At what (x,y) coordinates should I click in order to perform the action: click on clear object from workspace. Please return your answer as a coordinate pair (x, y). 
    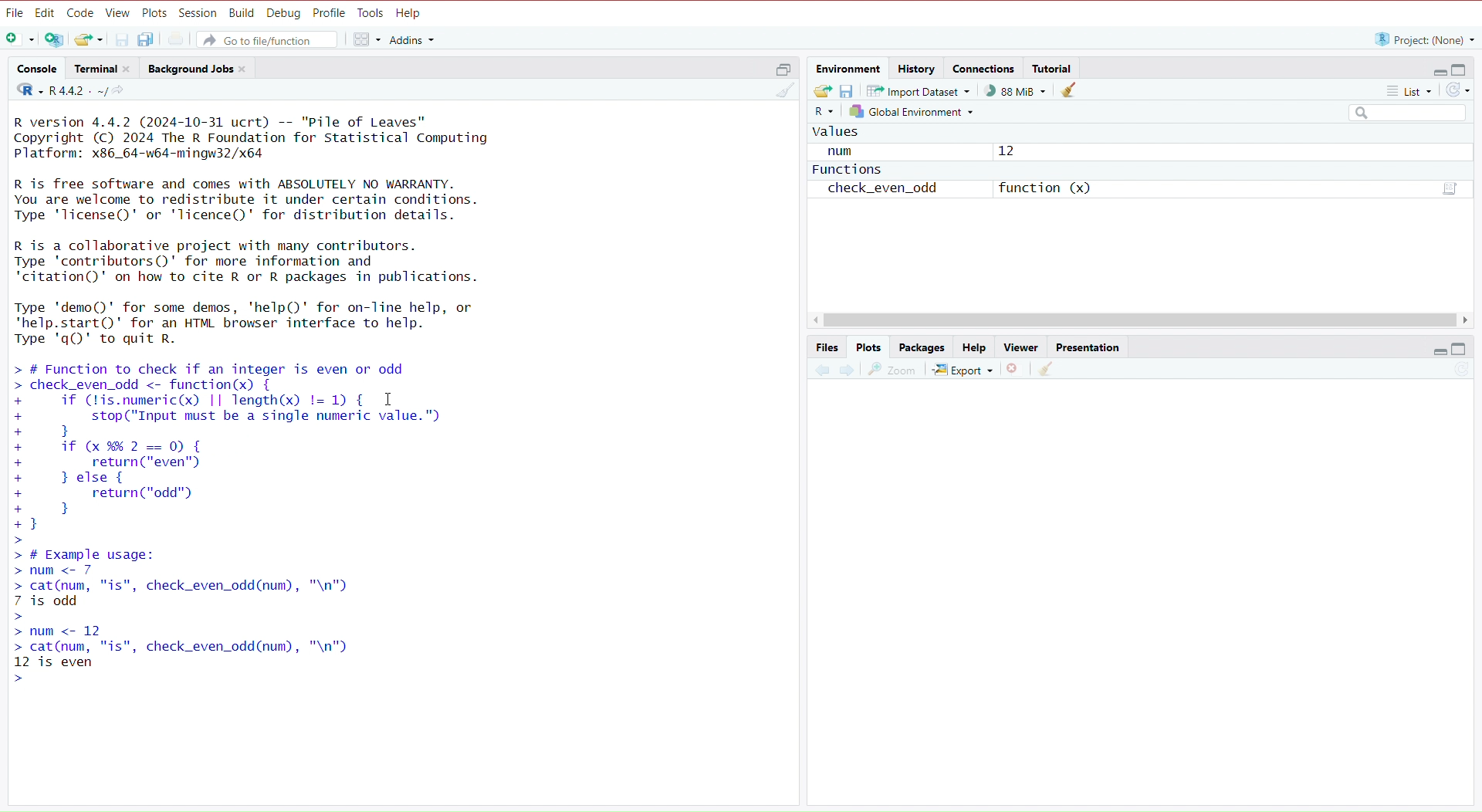
    Looking at the image, I should click on (1071, 92).